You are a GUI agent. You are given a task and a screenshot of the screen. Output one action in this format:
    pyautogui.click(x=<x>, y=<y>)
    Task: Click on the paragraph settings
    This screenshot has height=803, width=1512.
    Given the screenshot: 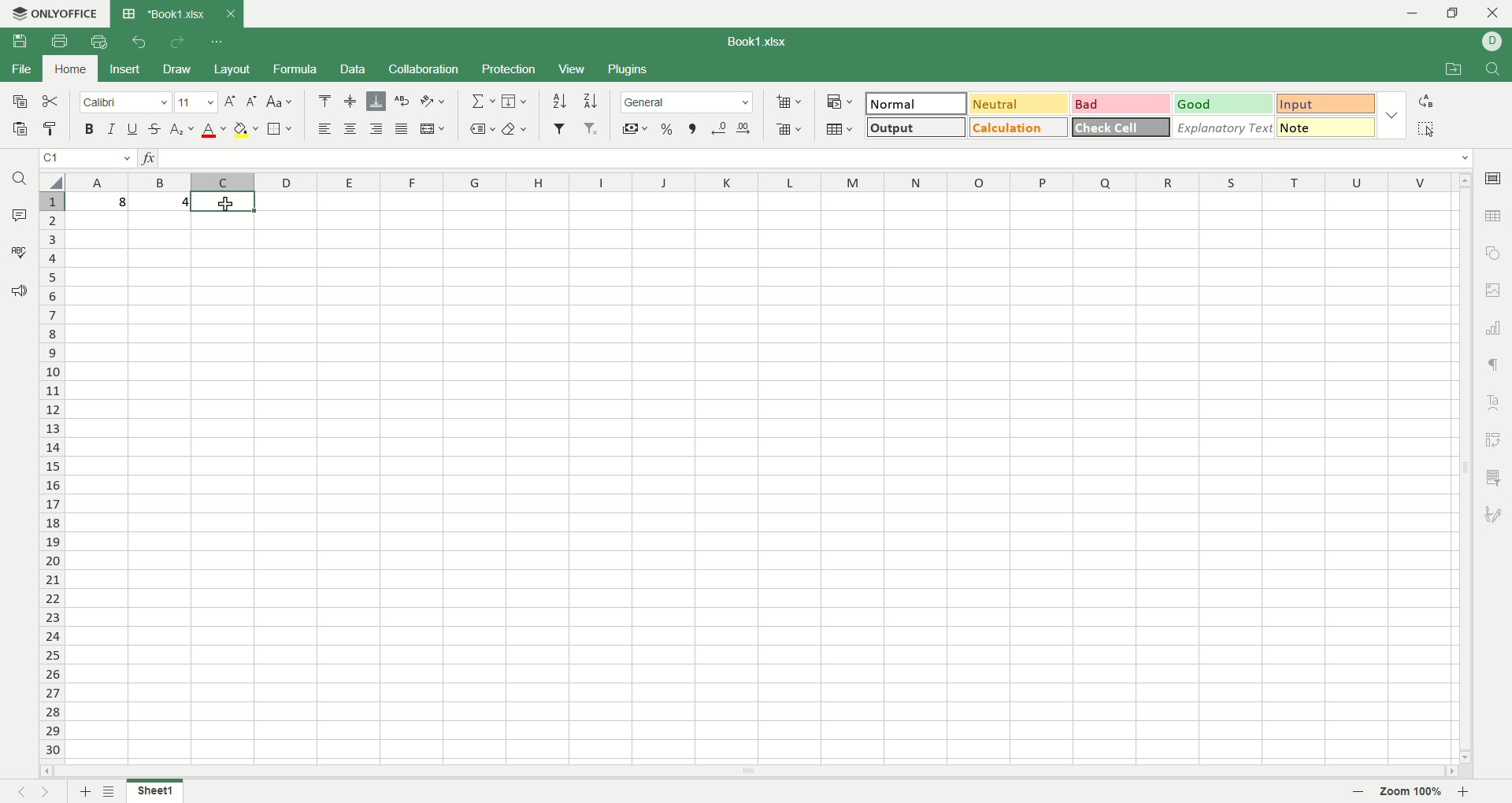 What is the action you would take?
    pyautogui.click(x=1497, y=366)
    